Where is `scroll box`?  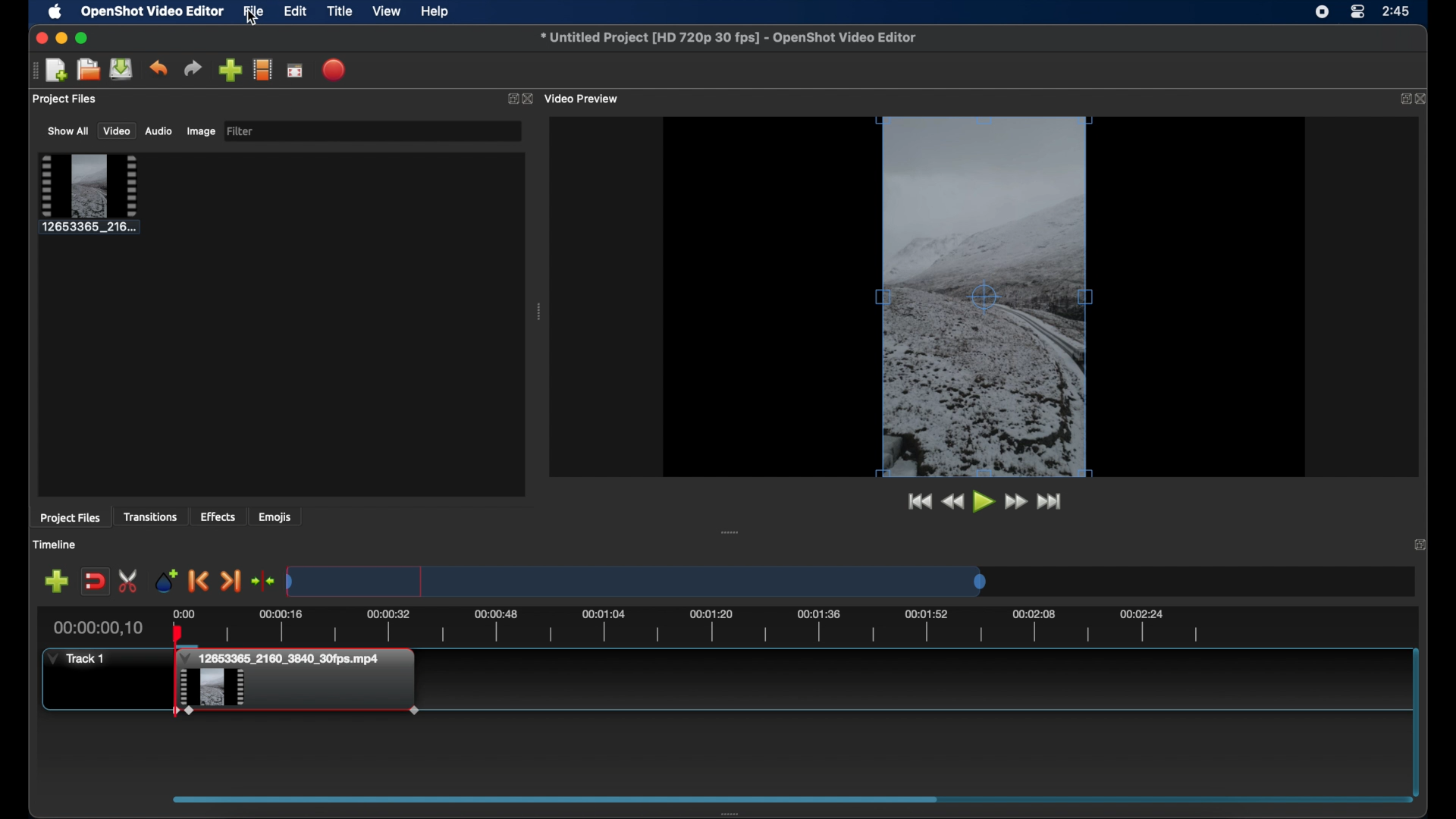
scroll box is located at coordinates (785, 802).